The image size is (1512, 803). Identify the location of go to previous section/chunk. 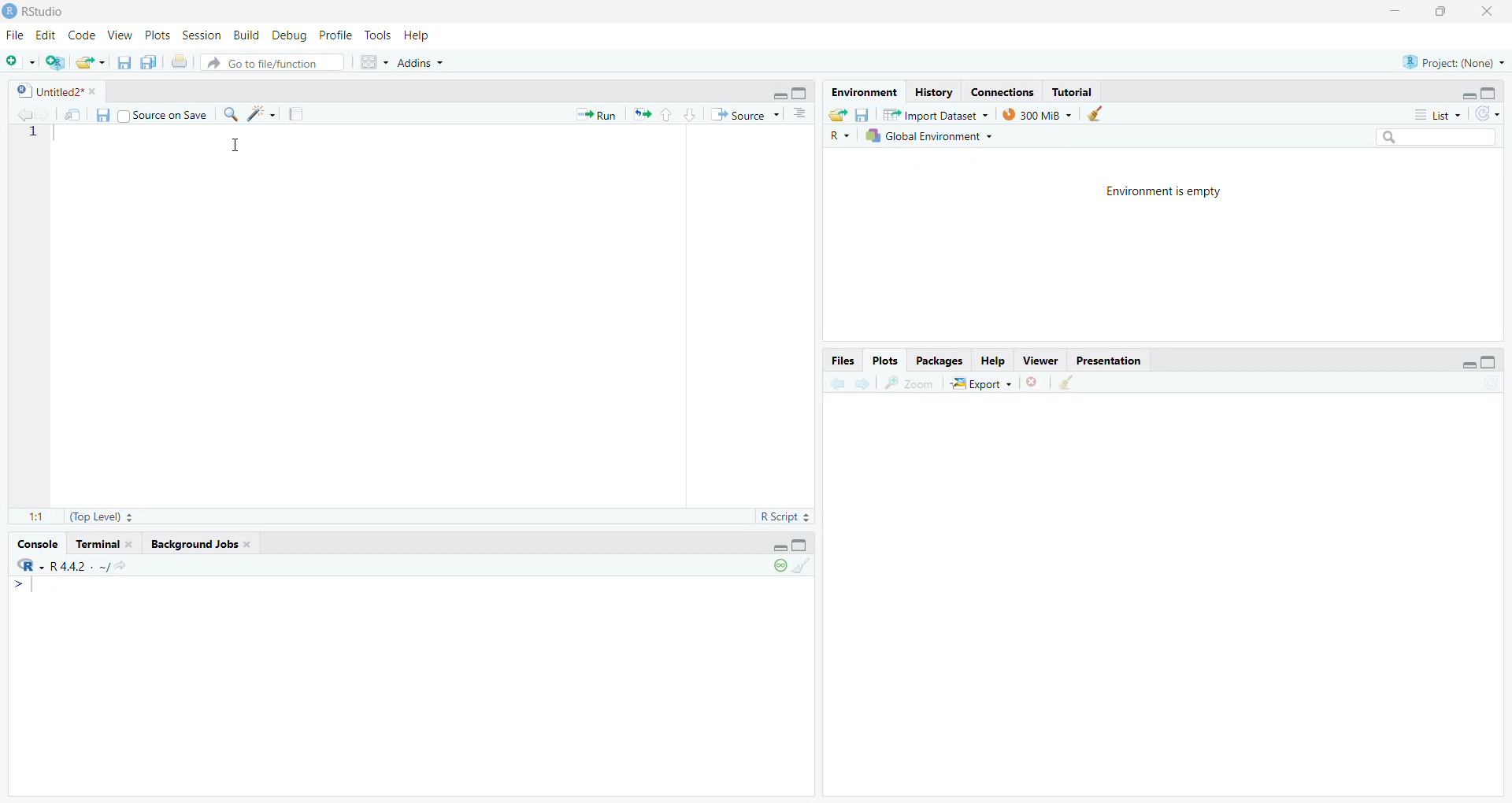
(665, 117).